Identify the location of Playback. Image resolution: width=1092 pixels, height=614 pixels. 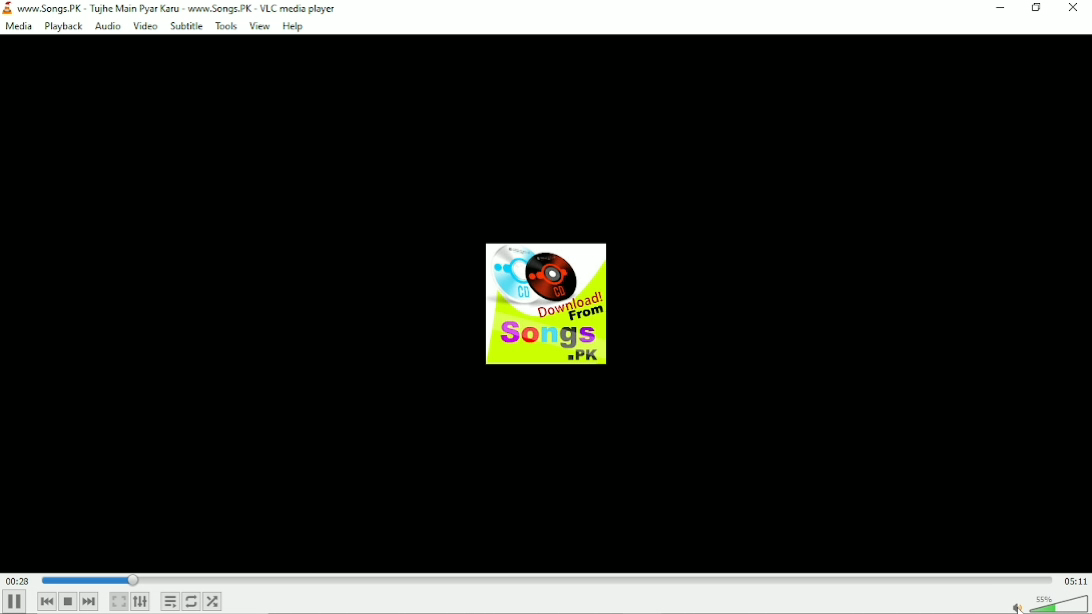
(62, 26).